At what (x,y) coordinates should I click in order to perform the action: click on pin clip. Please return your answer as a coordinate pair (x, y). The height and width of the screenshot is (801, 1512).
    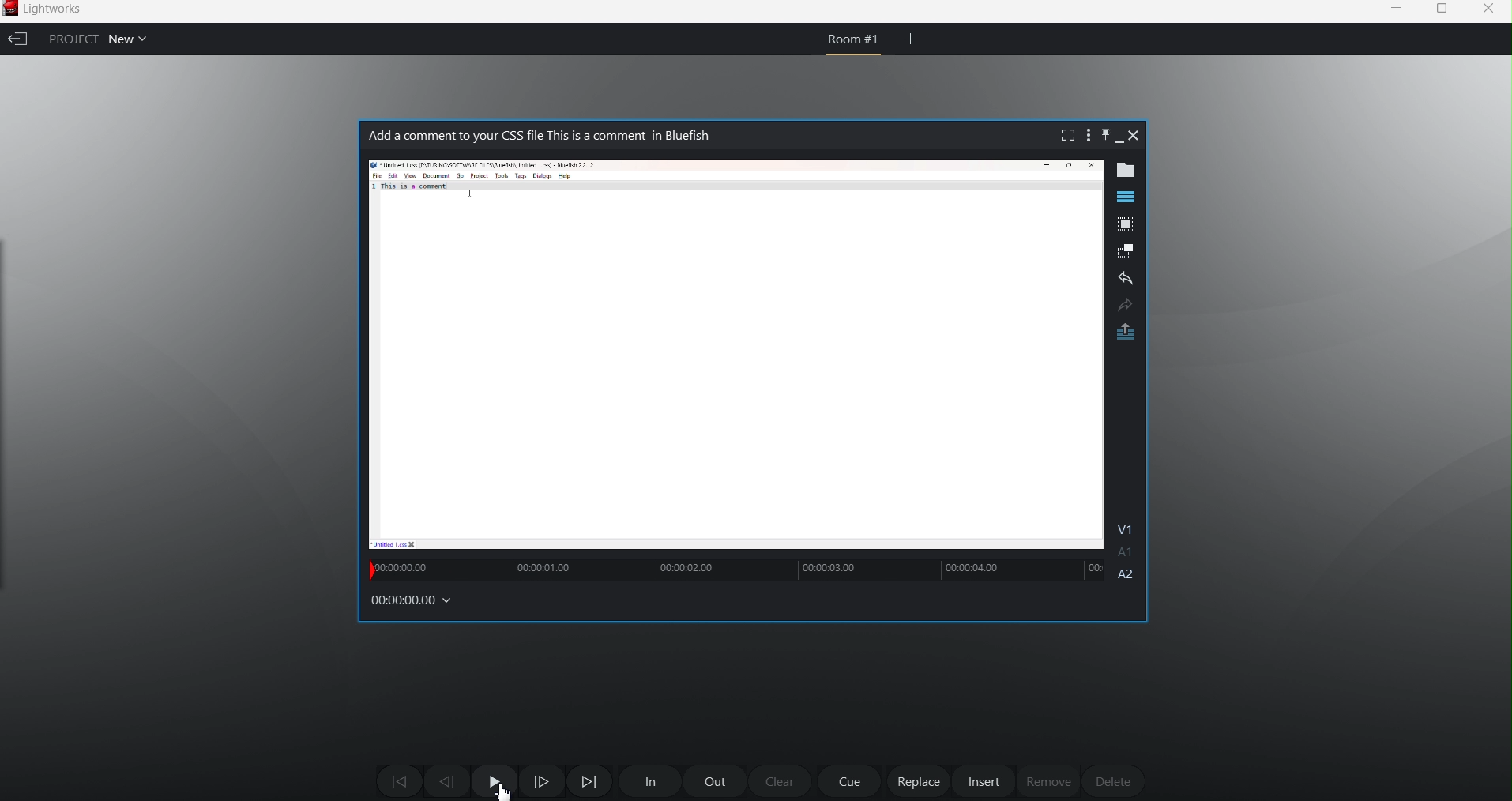
    Looking at the image, I should click on (1104, 133).